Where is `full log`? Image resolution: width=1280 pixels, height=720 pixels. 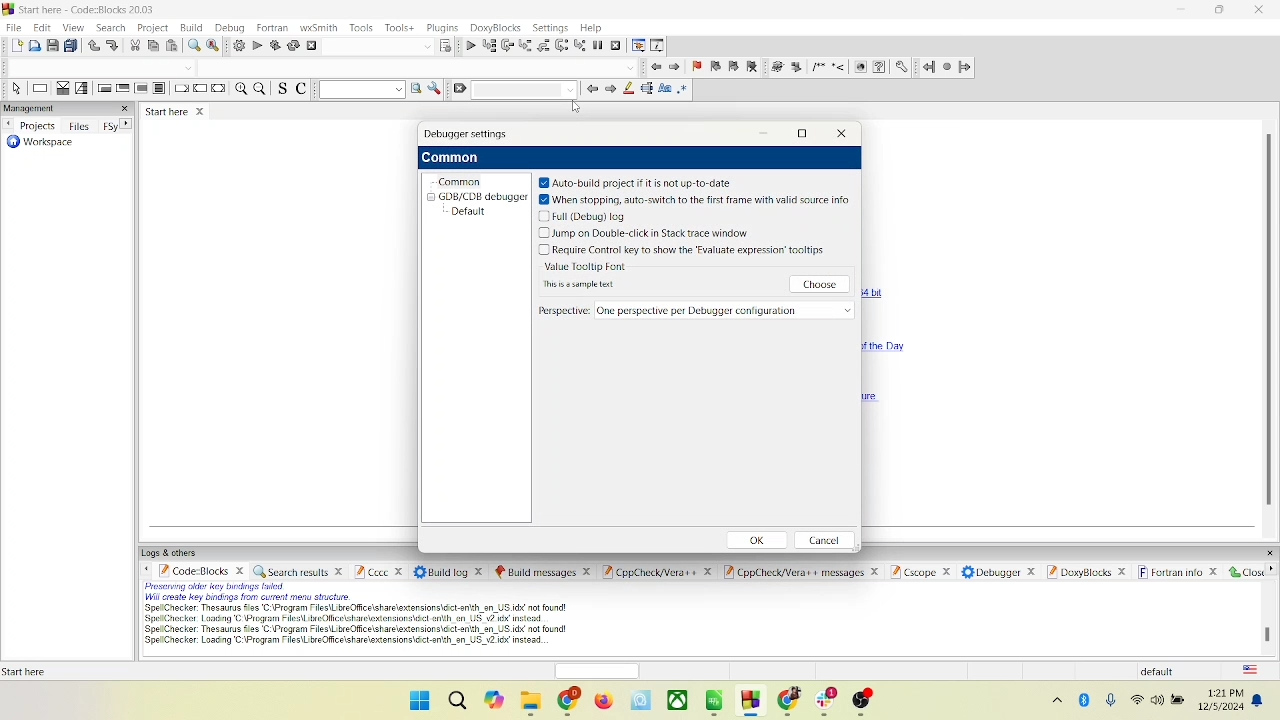 full log is located at coordinates (584, 216).